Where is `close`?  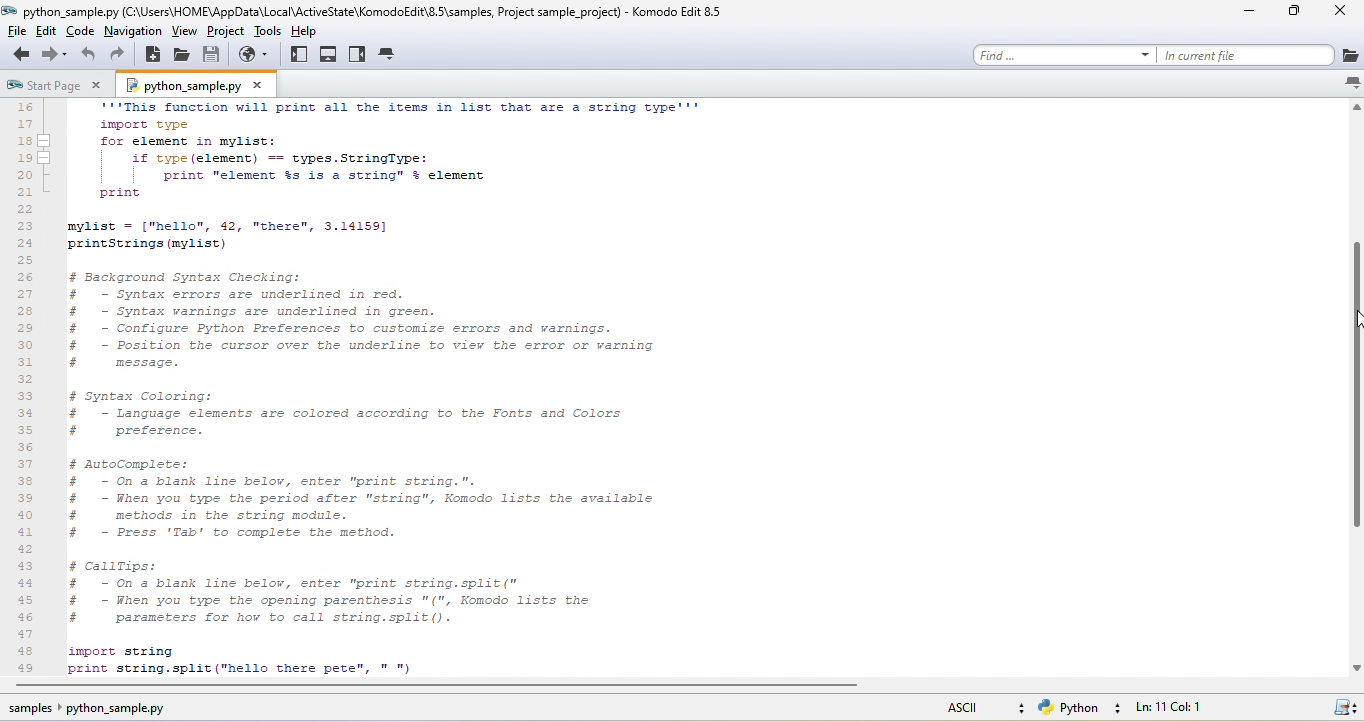 close is located at coordinates (1344, 13).